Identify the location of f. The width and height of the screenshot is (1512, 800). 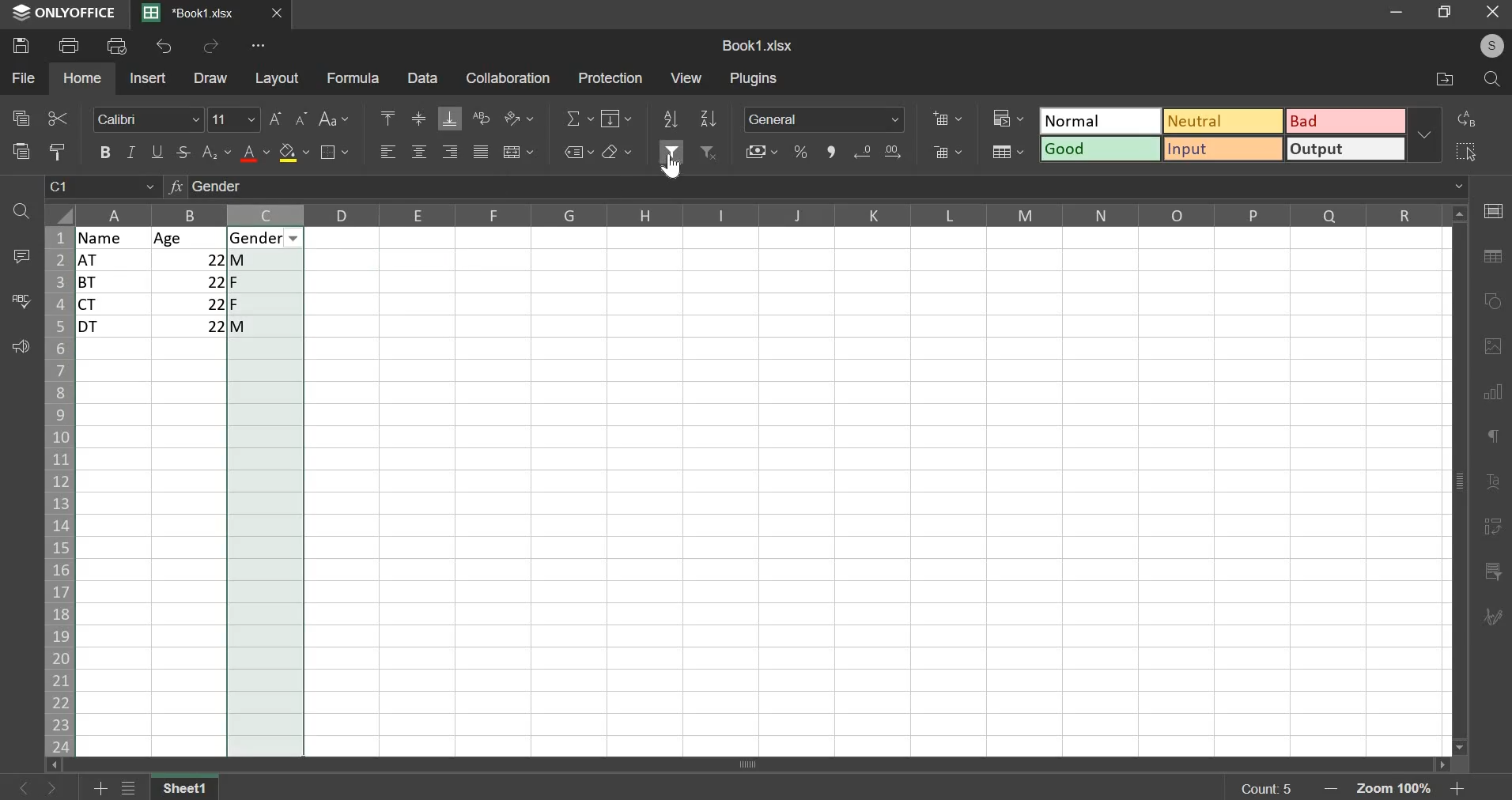
(265, 304).